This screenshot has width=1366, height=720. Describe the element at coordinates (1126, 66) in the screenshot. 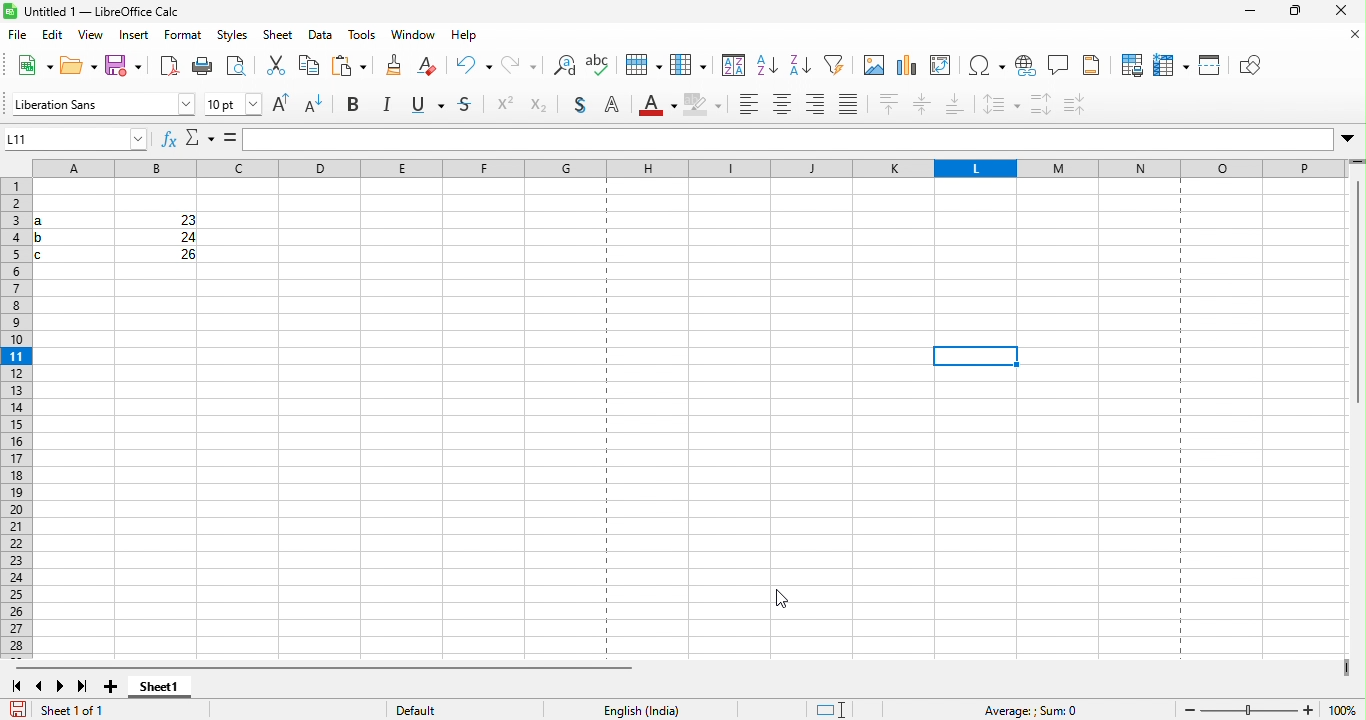

I see `print area` at that location.